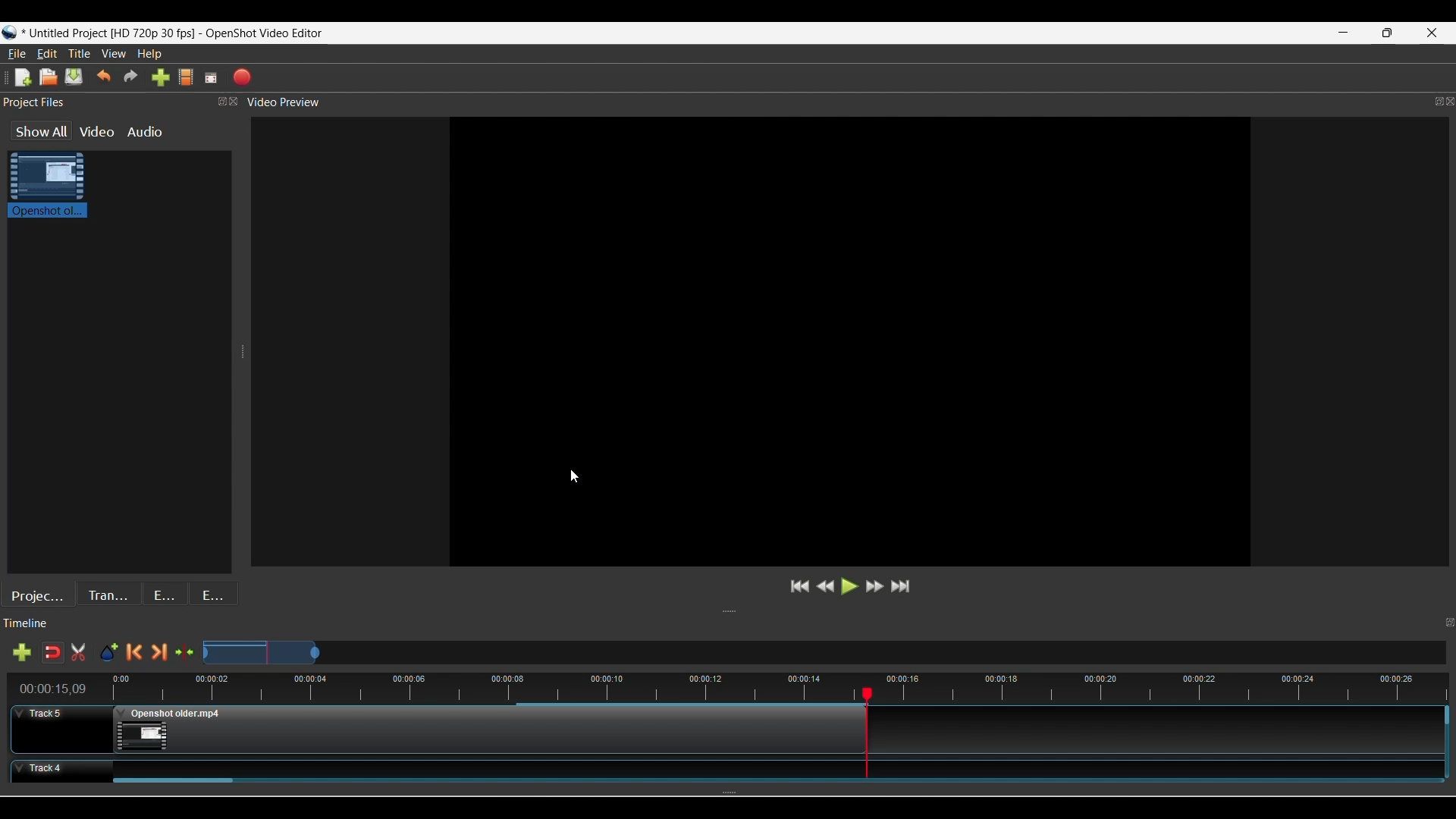 The height and width of the screenshot is (819, 1456). Describe the element at coordinates (854, 343) in the screenshot. I see `Preview Window` at that location.